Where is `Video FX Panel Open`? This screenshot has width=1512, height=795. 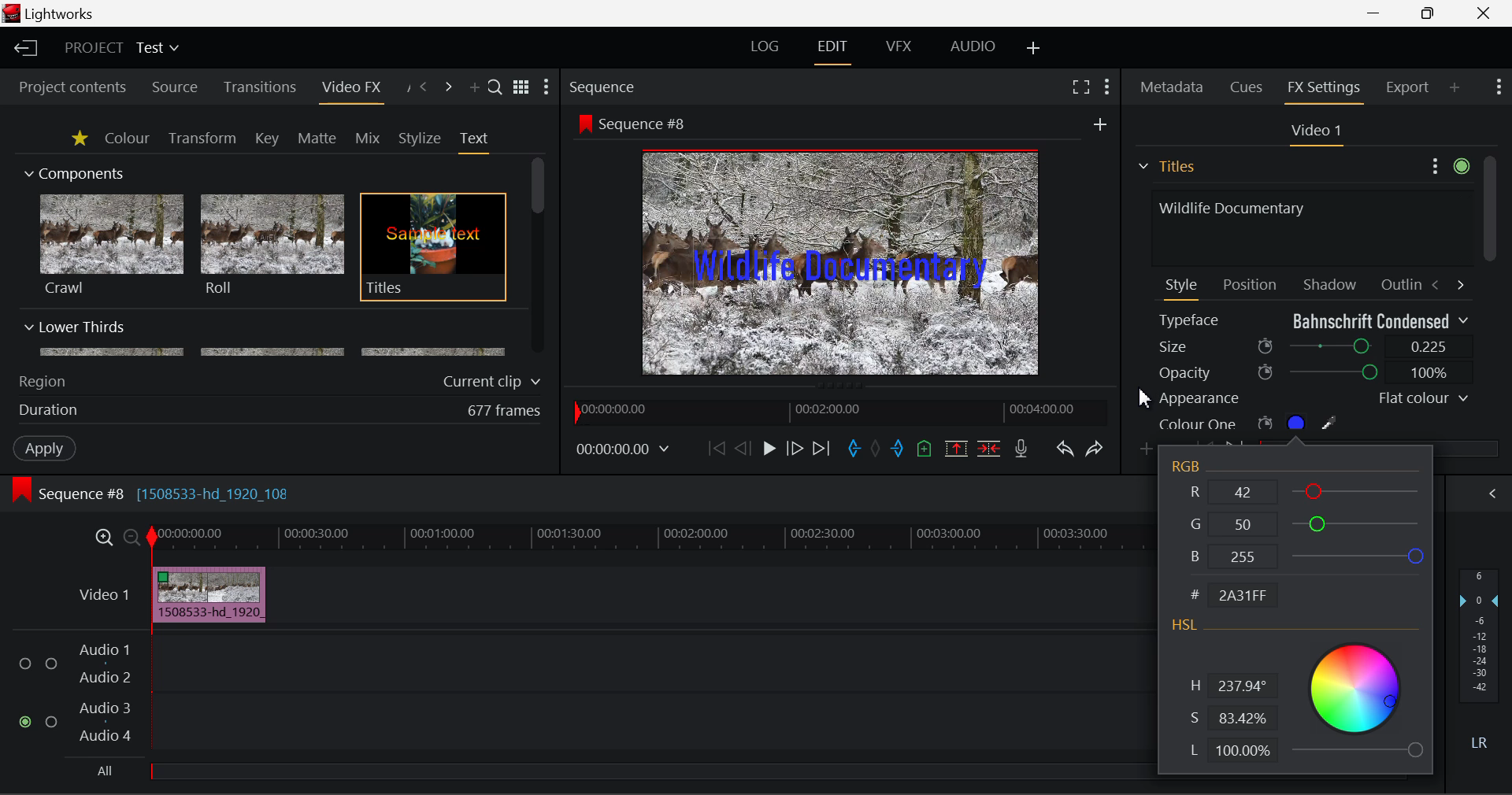
Video FX Panel Open is located at coordinates (350, 89).